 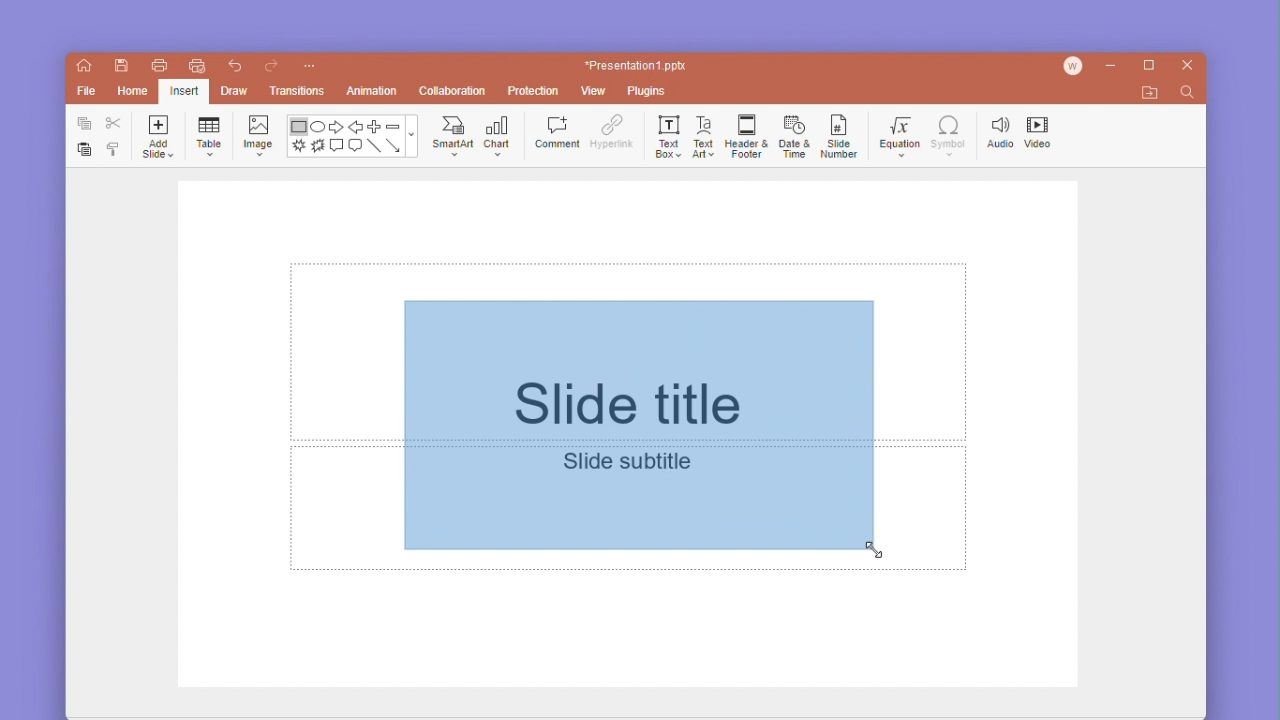 What do you see at coordinates (355, 147) in the screenshot?
I see `message text box` at bounding box center [355, 147].